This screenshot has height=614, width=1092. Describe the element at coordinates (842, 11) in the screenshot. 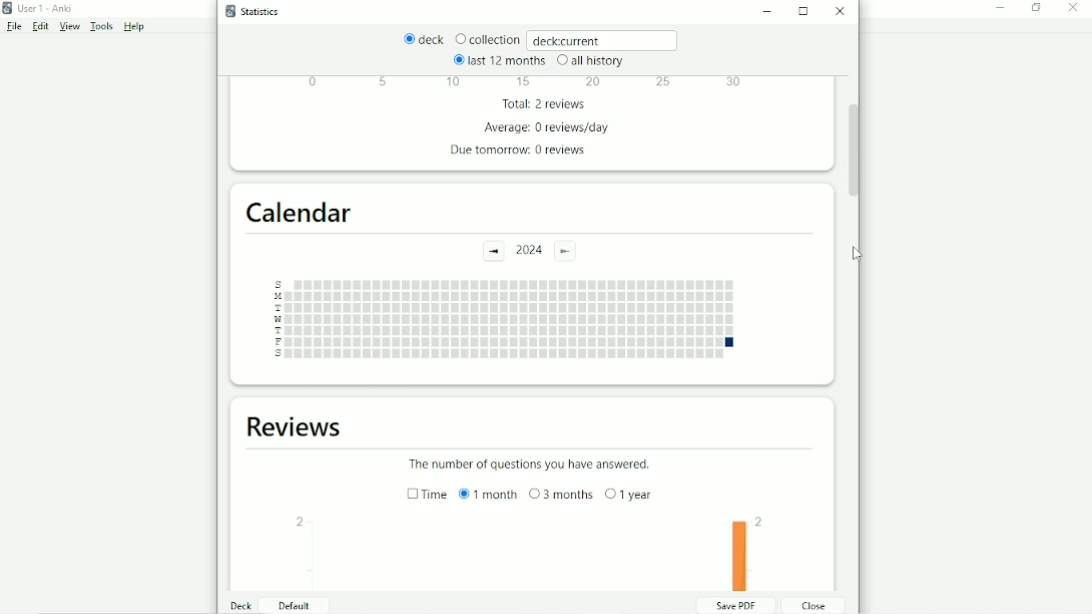

I see `Close` at that location.